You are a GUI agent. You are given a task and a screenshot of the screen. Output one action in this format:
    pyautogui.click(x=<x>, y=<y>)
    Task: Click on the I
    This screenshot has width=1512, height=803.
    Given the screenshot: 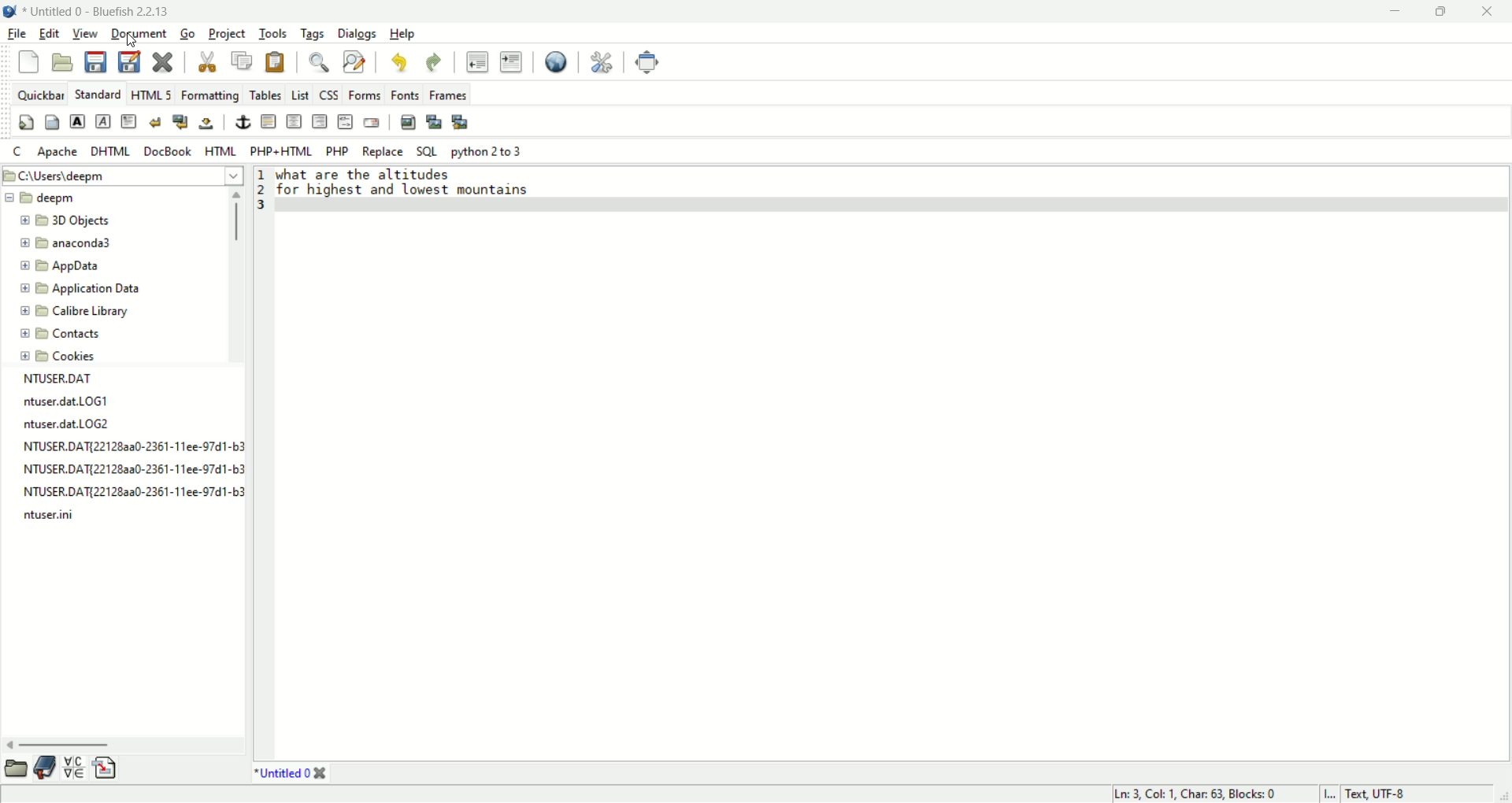 What is the action you would take?
    pyautogui.click(x=1332, y=794)
    